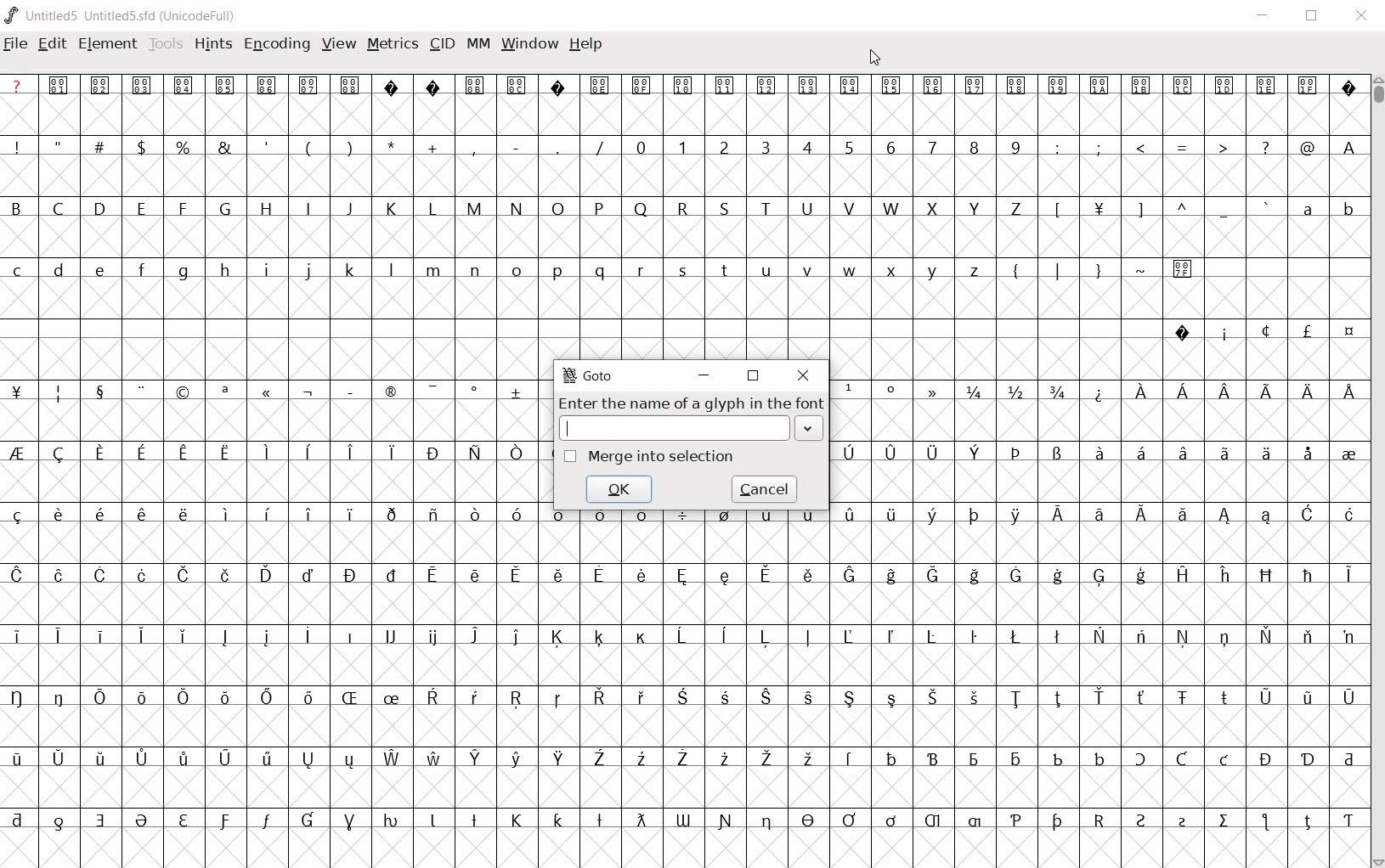 The width and height of the screenshot is (1385, 868). I want to click on Symbol, so click(391, 637).